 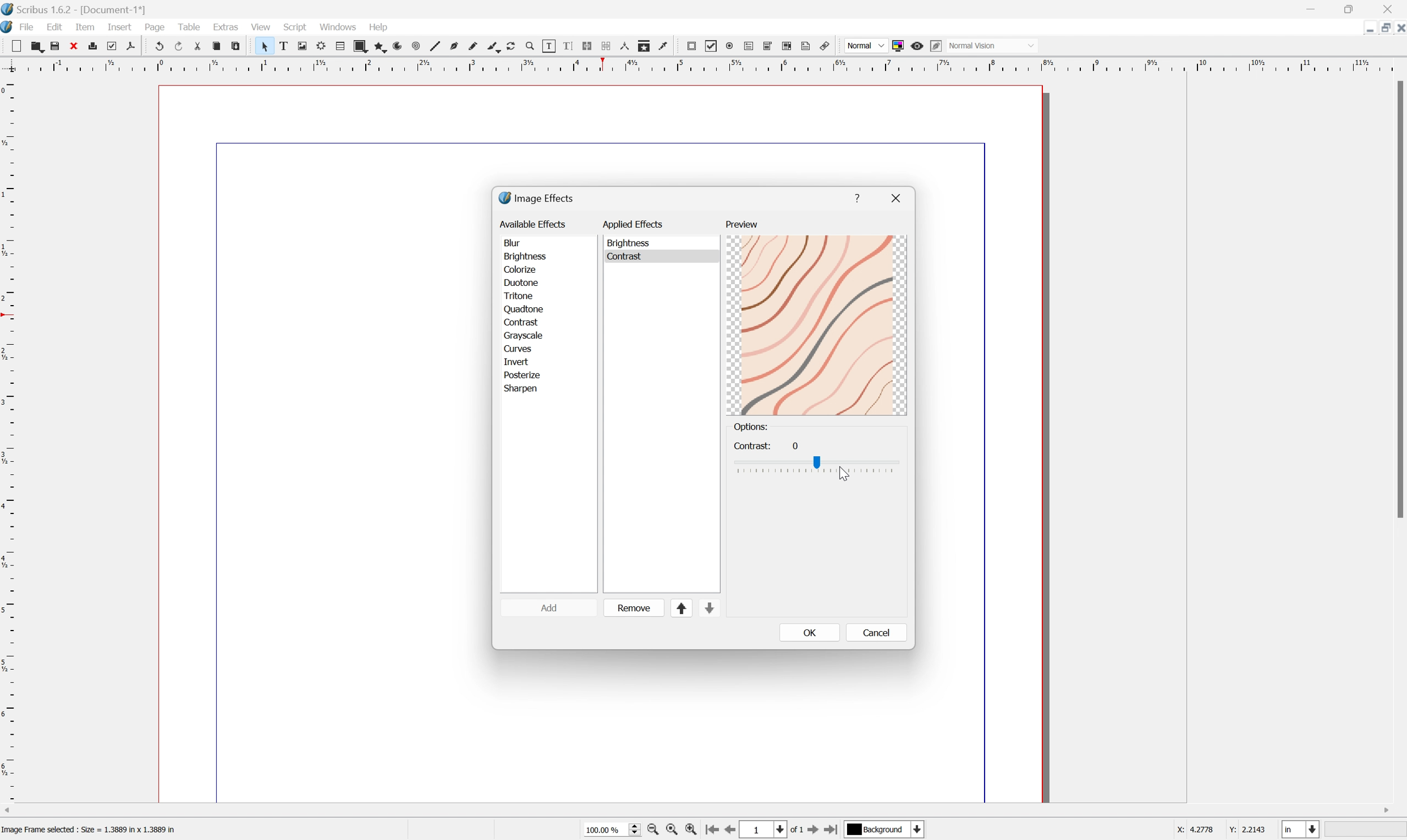 I want to click on Close, so click(x=1390, y=9).